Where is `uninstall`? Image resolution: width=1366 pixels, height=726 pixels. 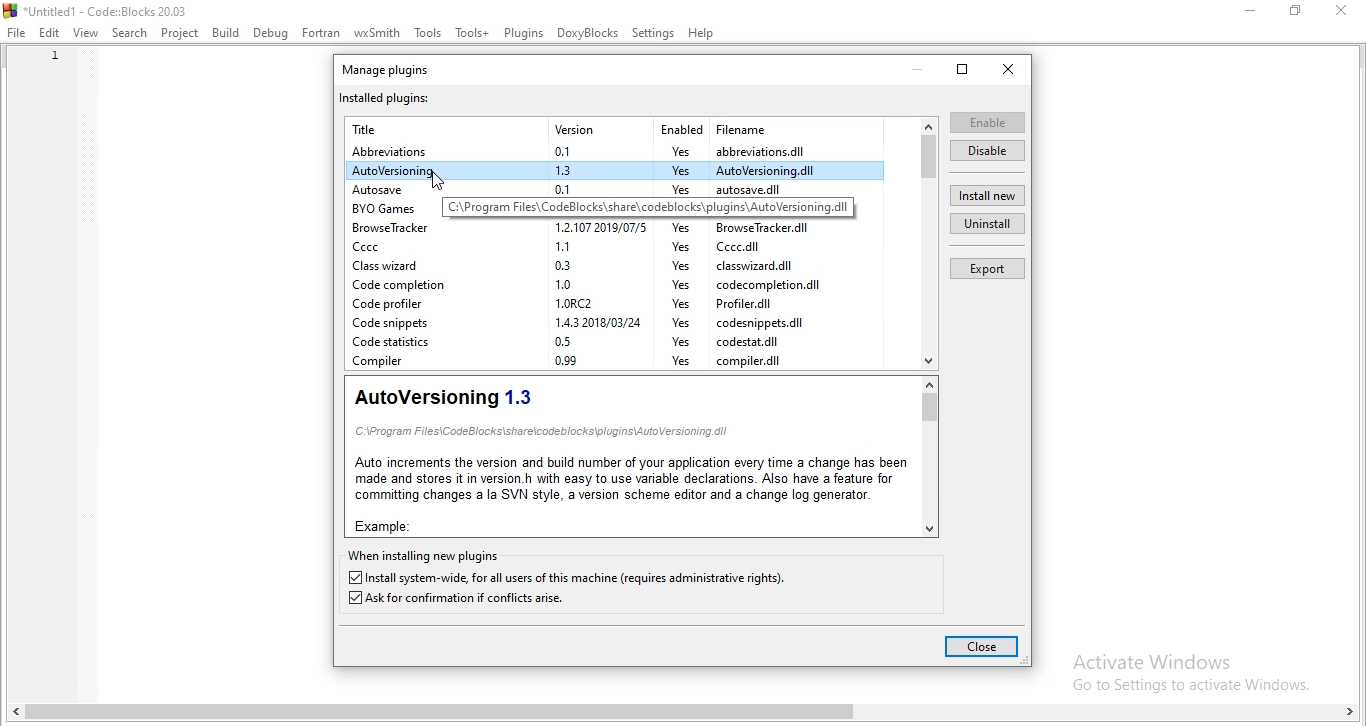
uninstall is located at coordinates (985, 225).